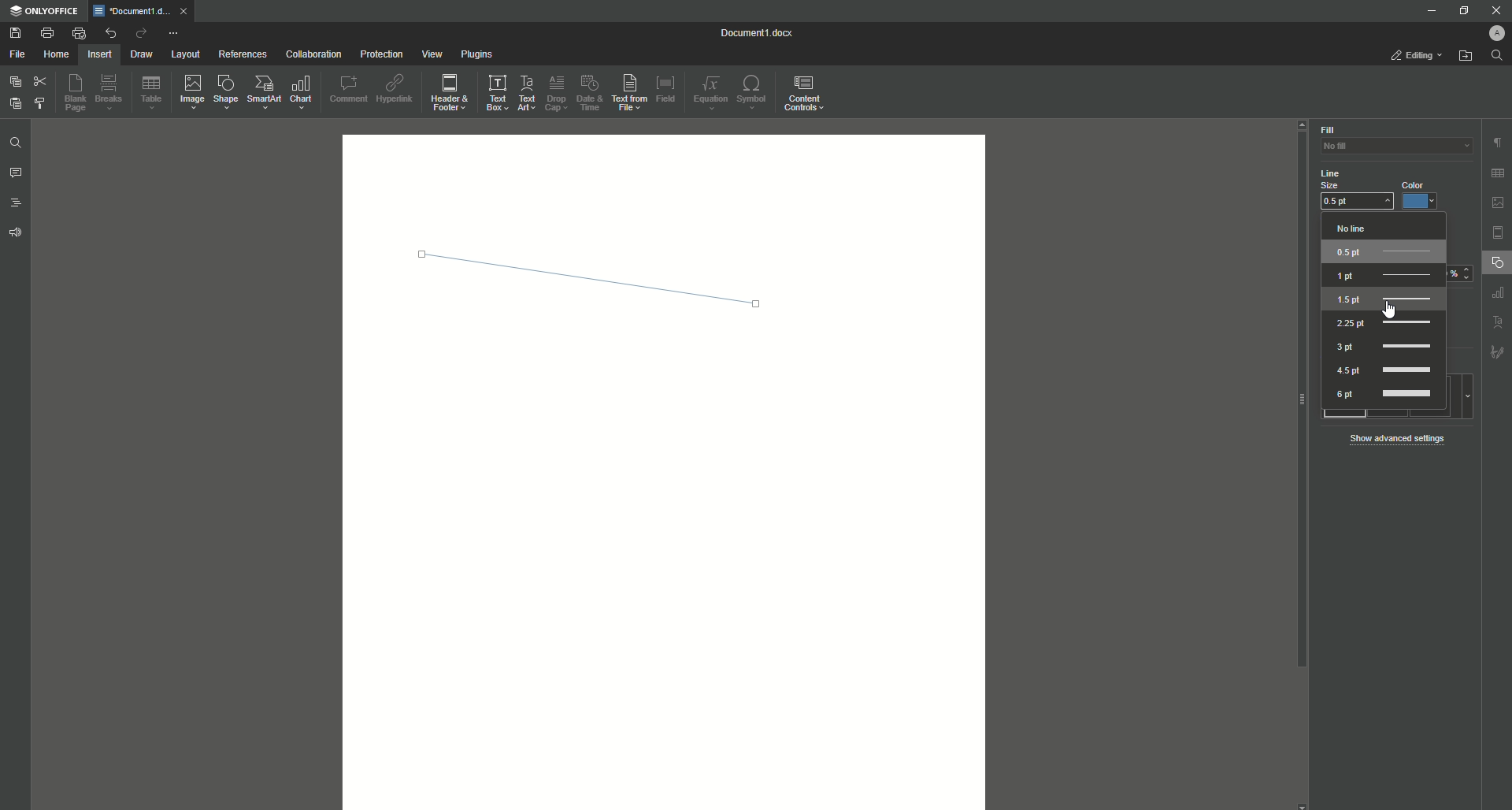 The image size is (1512, 810). I want to click on 0.5 pt, so click(1385, 251).